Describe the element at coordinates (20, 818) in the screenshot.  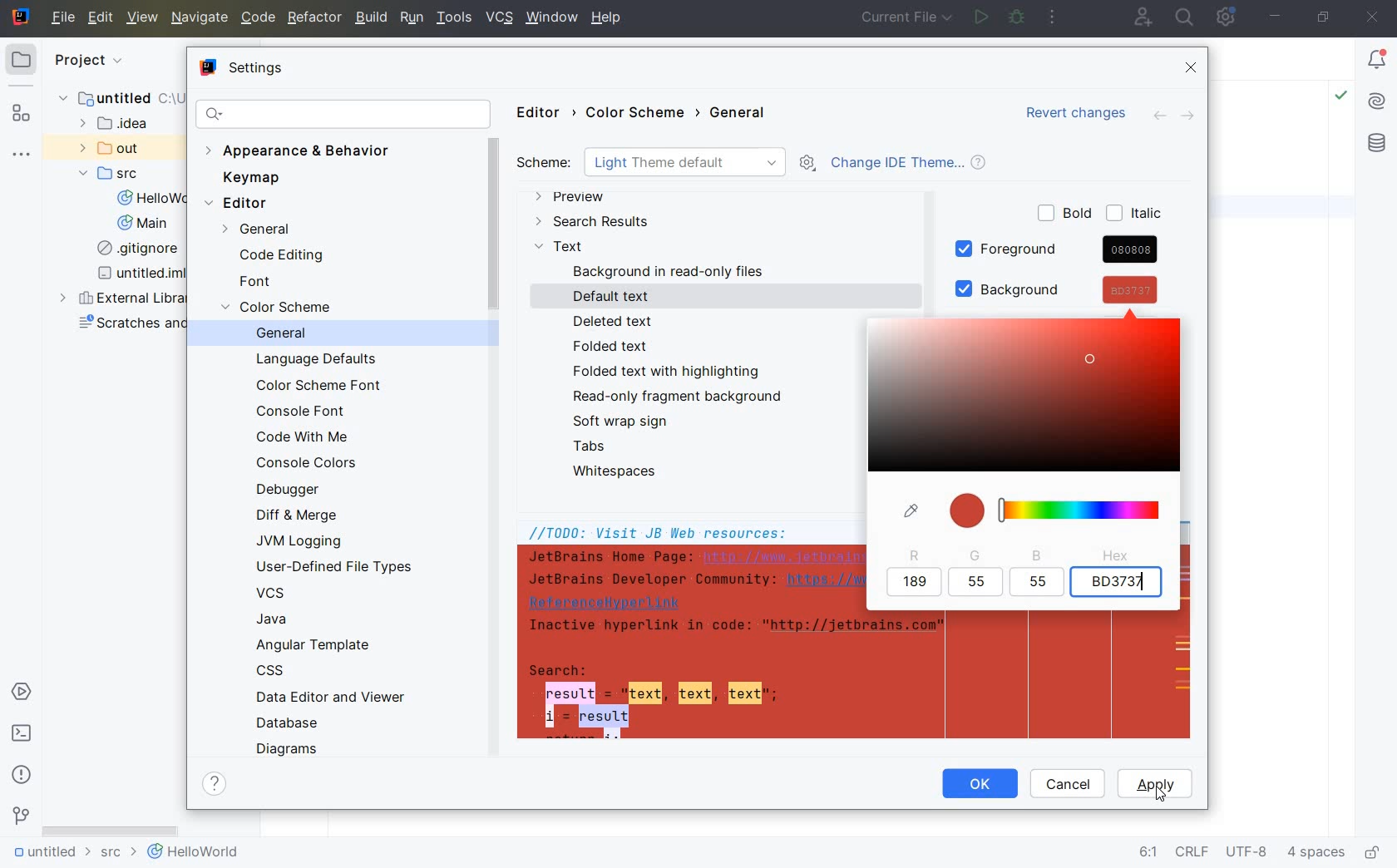
I see `version control` at that location.